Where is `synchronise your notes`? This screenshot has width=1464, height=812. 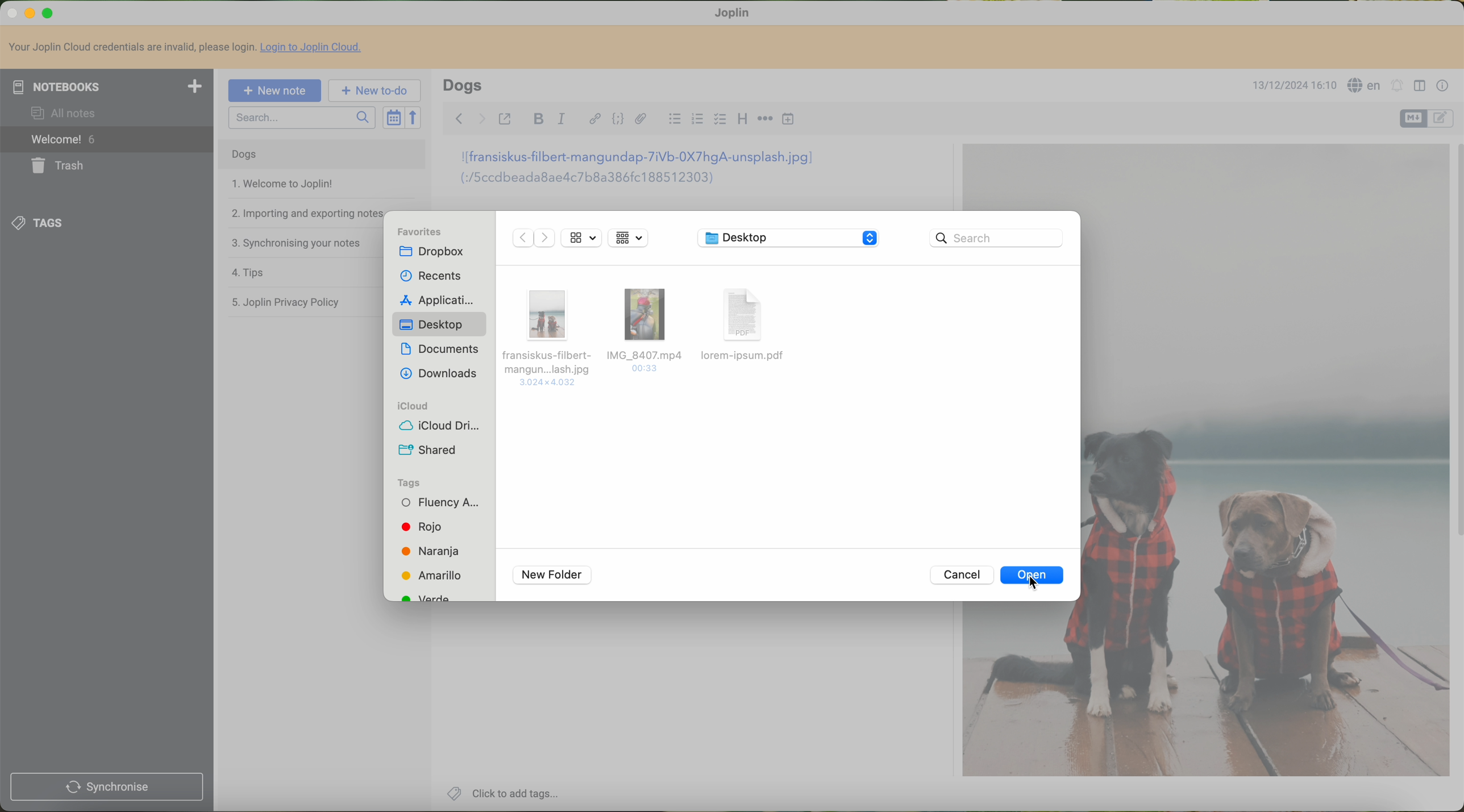 synchronise your notes is located at coordinates (297, 240).